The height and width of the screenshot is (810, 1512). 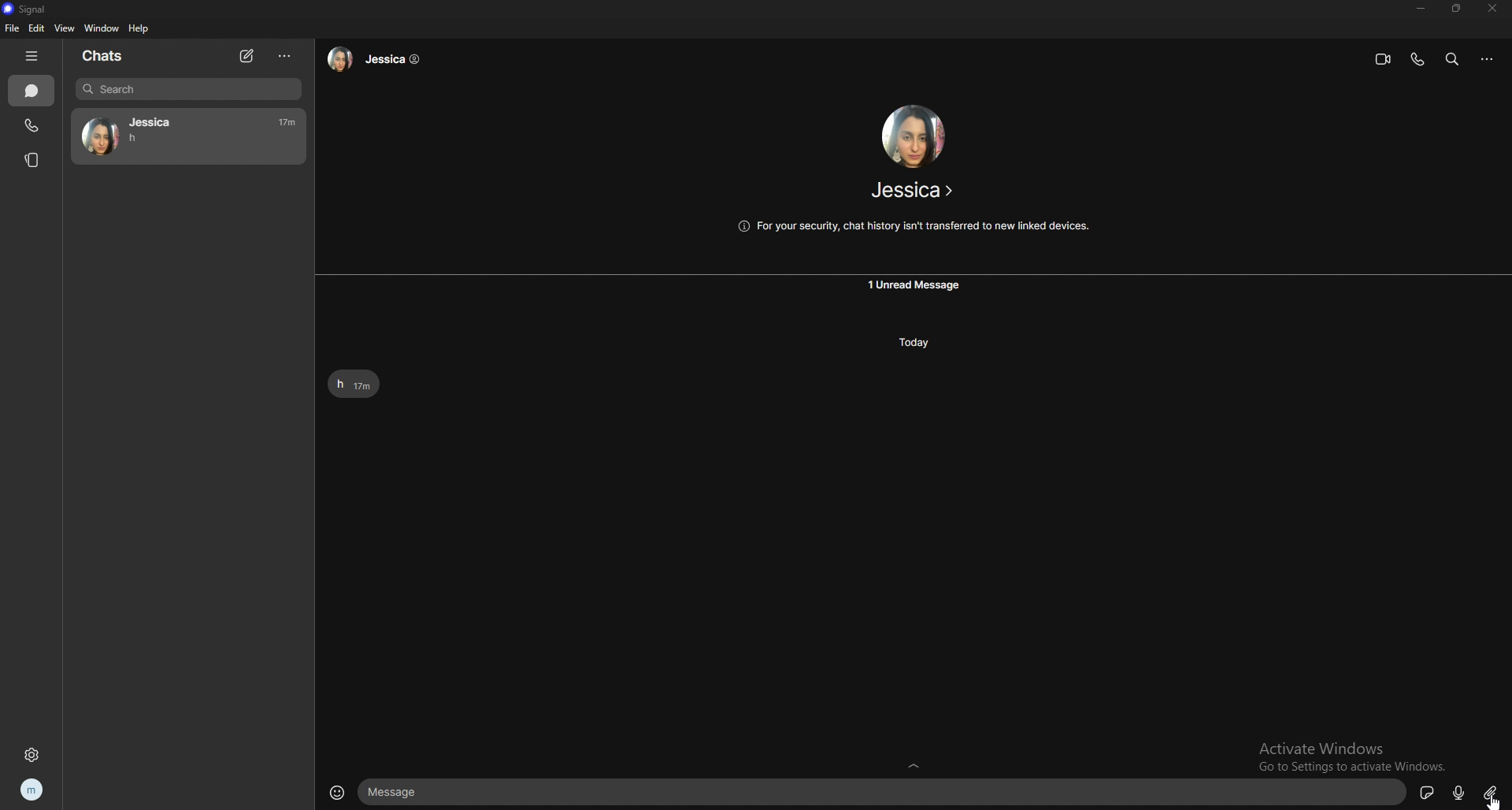 I want to click on 17  m, so click(x=364, y=387).